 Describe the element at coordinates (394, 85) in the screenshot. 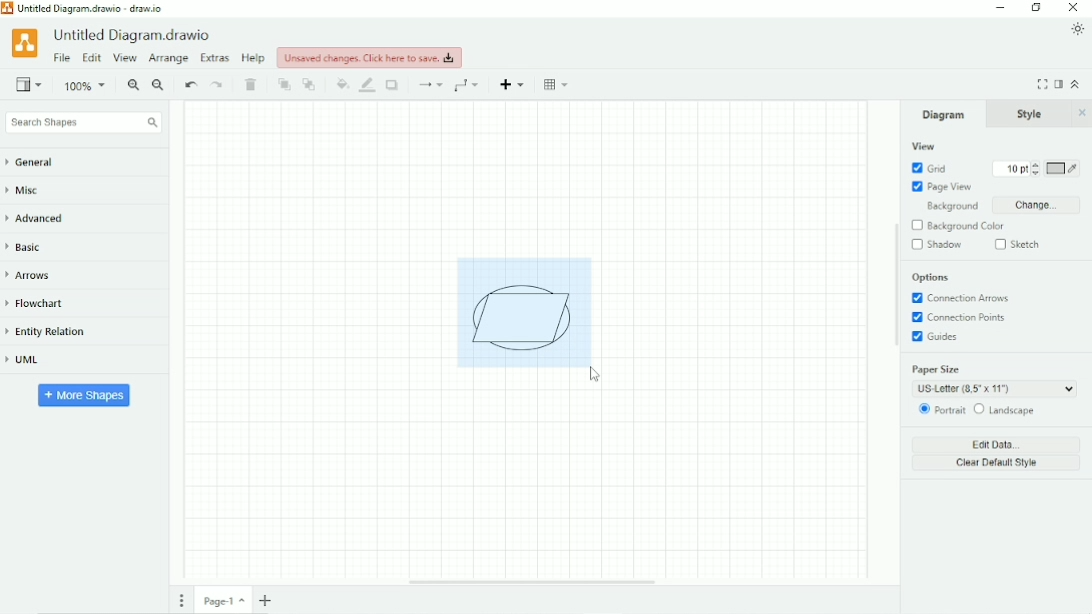

I see `Shadow` at that location.